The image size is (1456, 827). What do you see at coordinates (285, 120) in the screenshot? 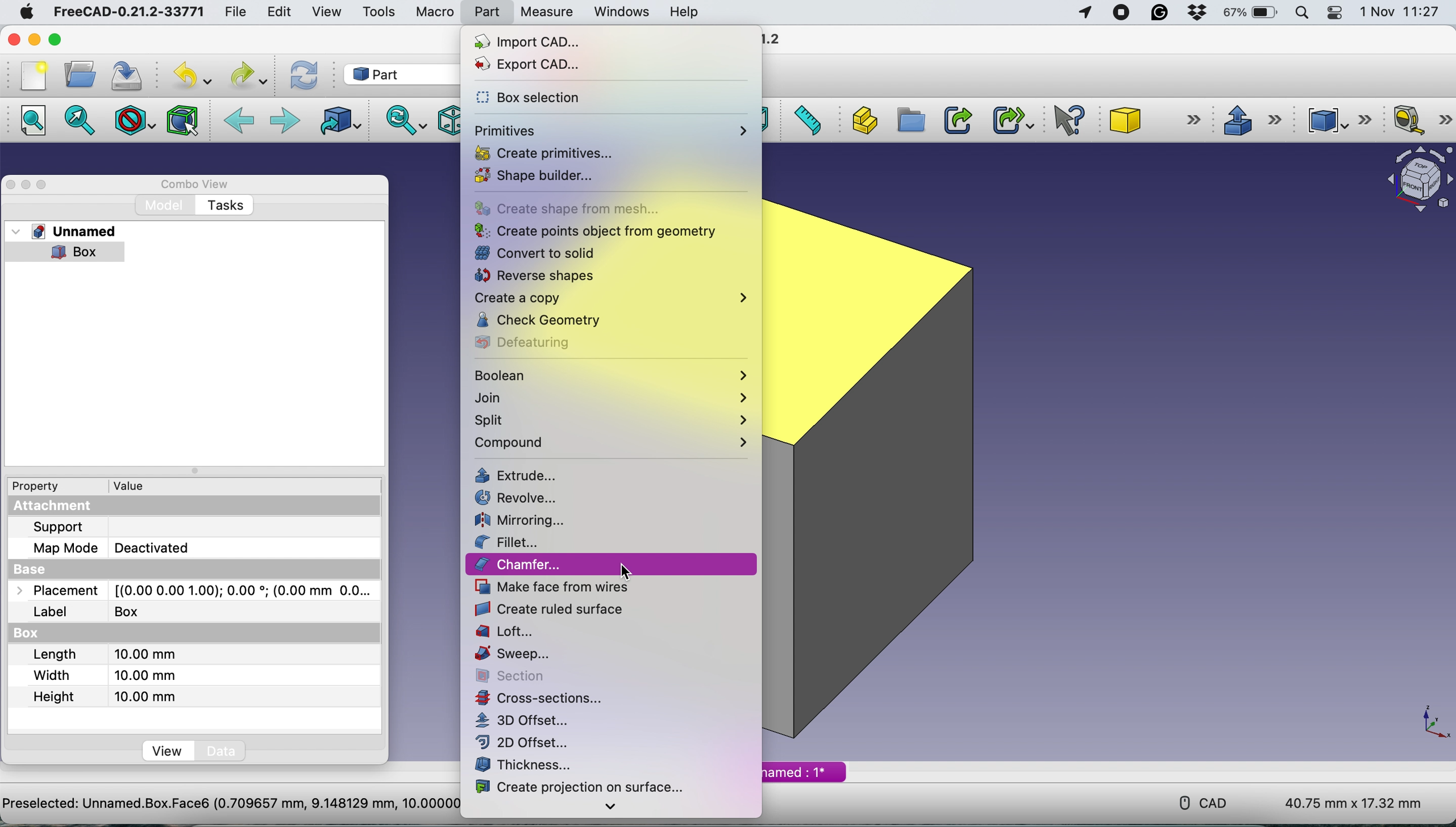
I see `forward` at bounding box center [285, 120].